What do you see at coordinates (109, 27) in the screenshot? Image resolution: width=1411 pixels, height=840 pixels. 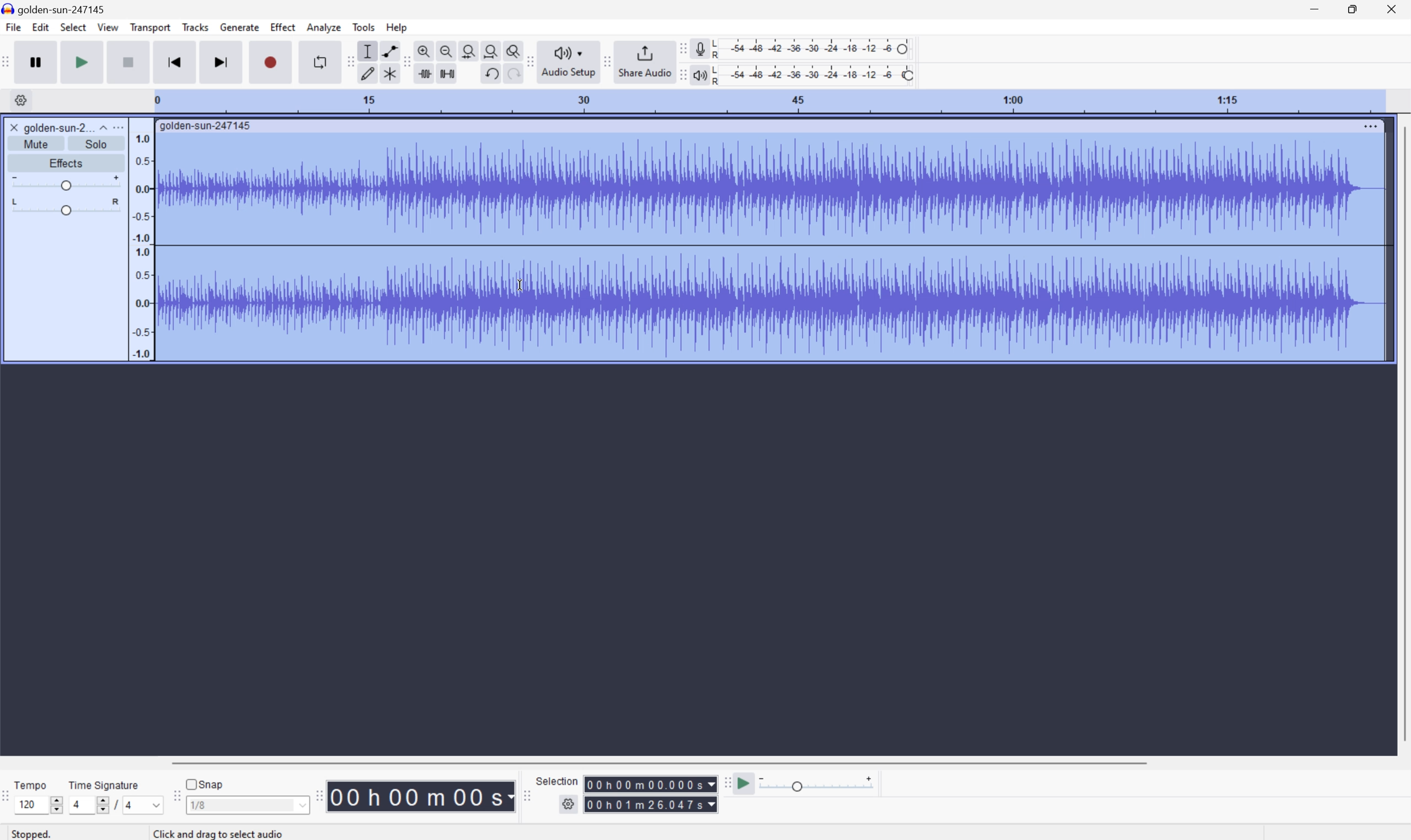 I see `View` at bounding box center [109, 27].